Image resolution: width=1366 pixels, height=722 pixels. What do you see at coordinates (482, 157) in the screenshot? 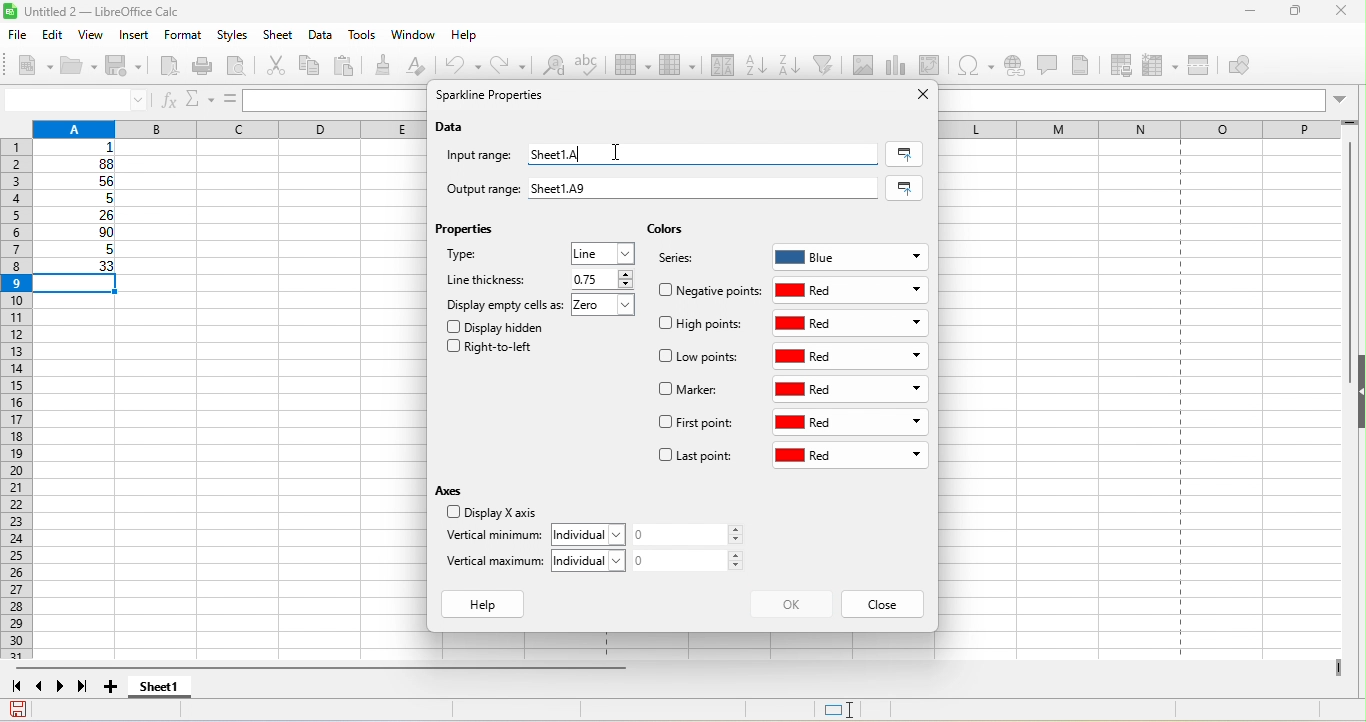
I see `input range` at bounding box center [482, 157].